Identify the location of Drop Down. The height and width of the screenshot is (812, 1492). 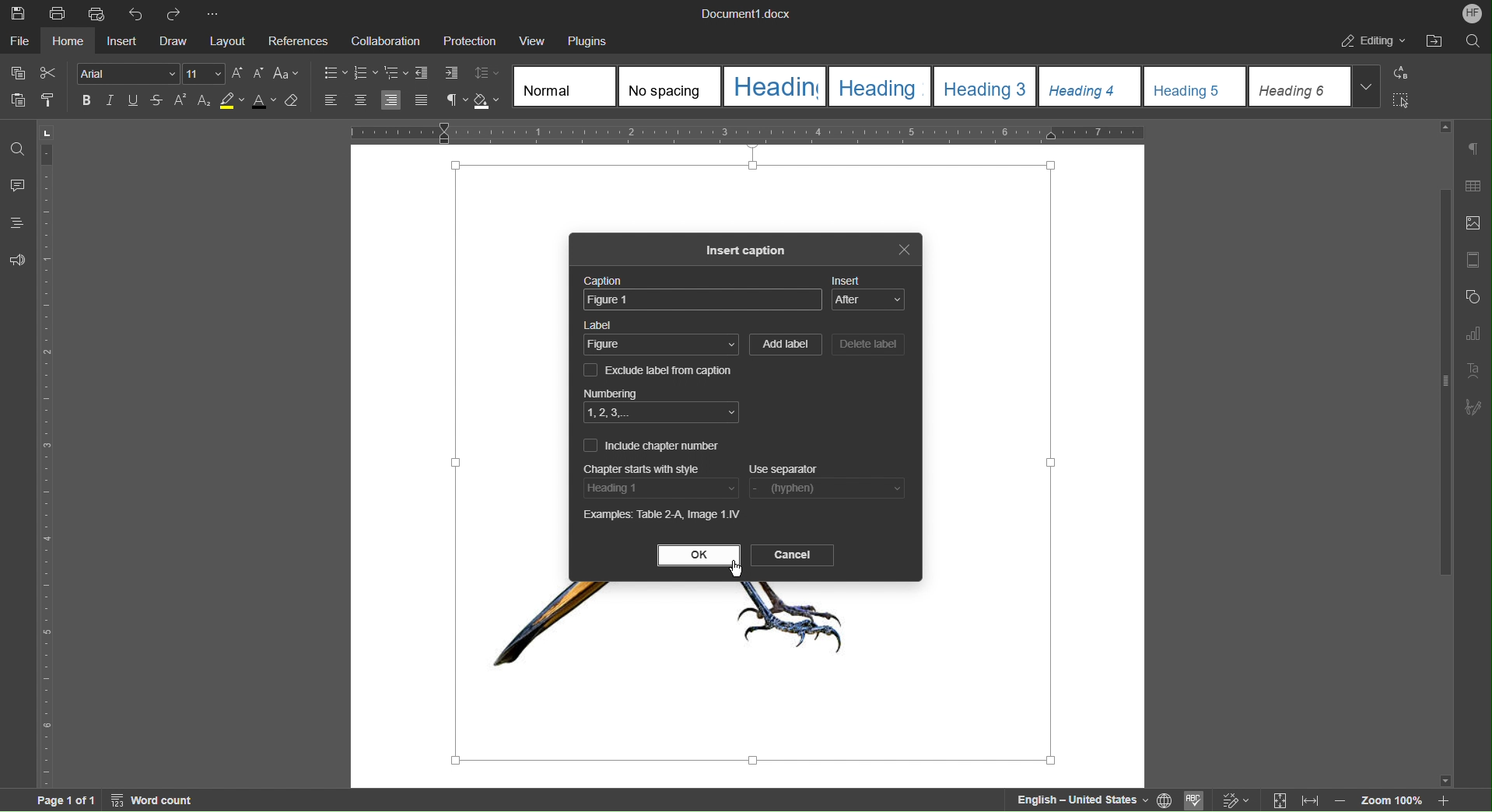
(1366, 86).